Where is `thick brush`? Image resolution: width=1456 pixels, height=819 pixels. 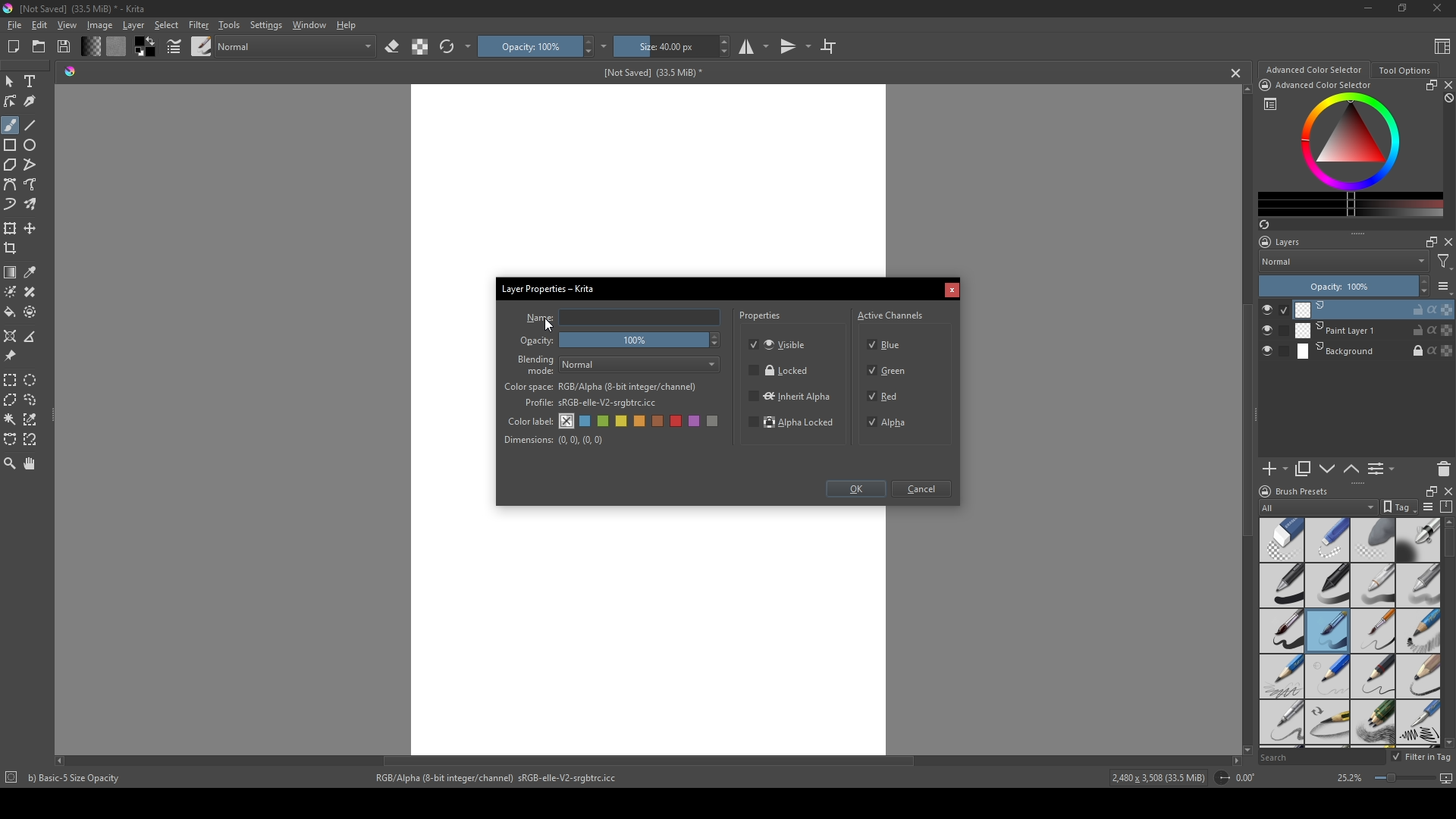 thick brush is located at coordinates (1282, 632).